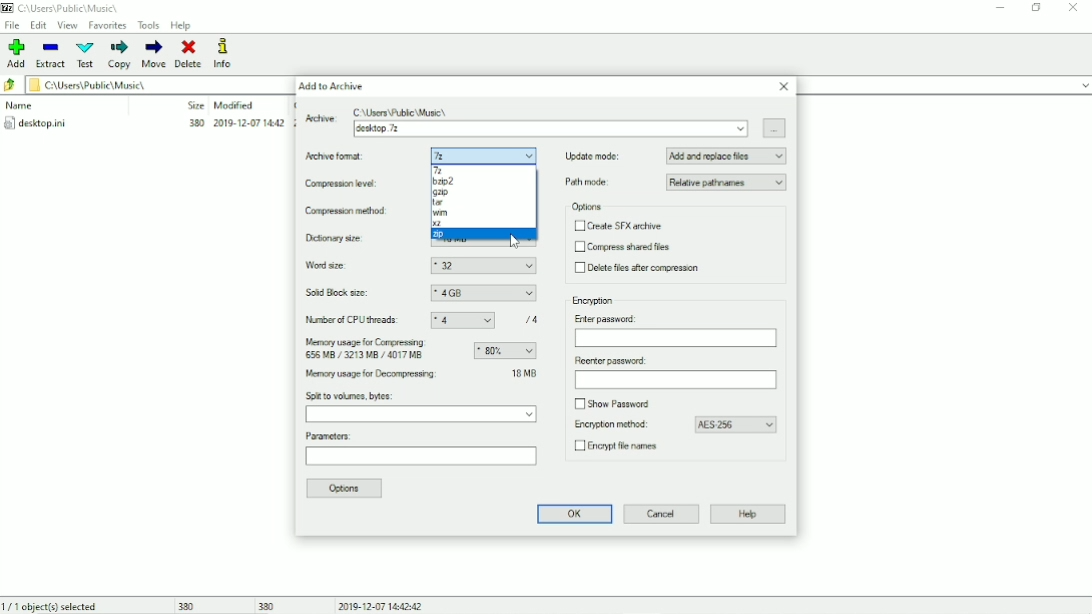 This screenshot has height=614, width=1092. What do you see at coordinates (442, 192) in the screenshot?
I see `gzip` at bounding box center [442, 192].